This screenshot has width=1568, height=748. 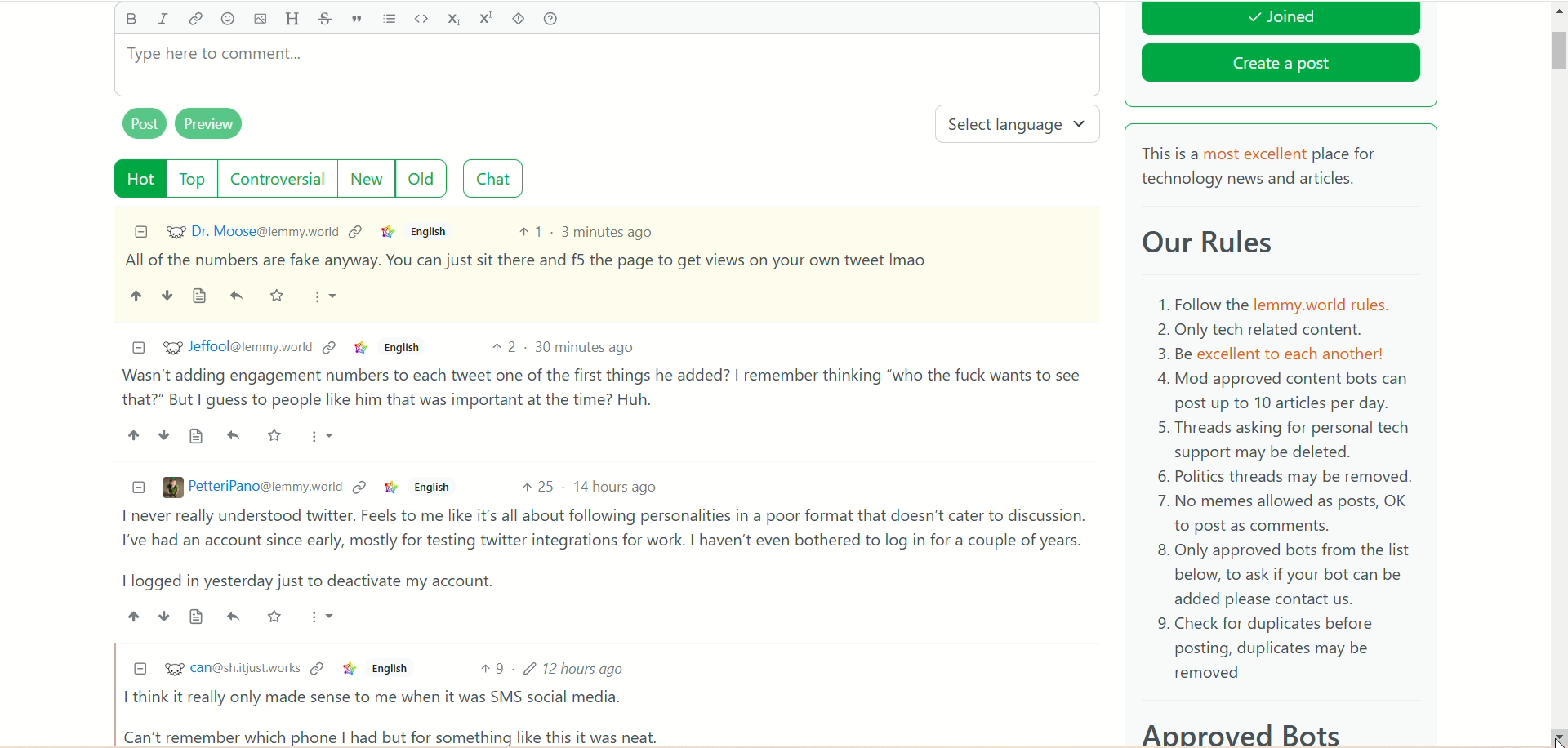 What do you see at coordinates (322, 20) in the screenshot?
I see `strikethrough` at bounding box center [322, 20].